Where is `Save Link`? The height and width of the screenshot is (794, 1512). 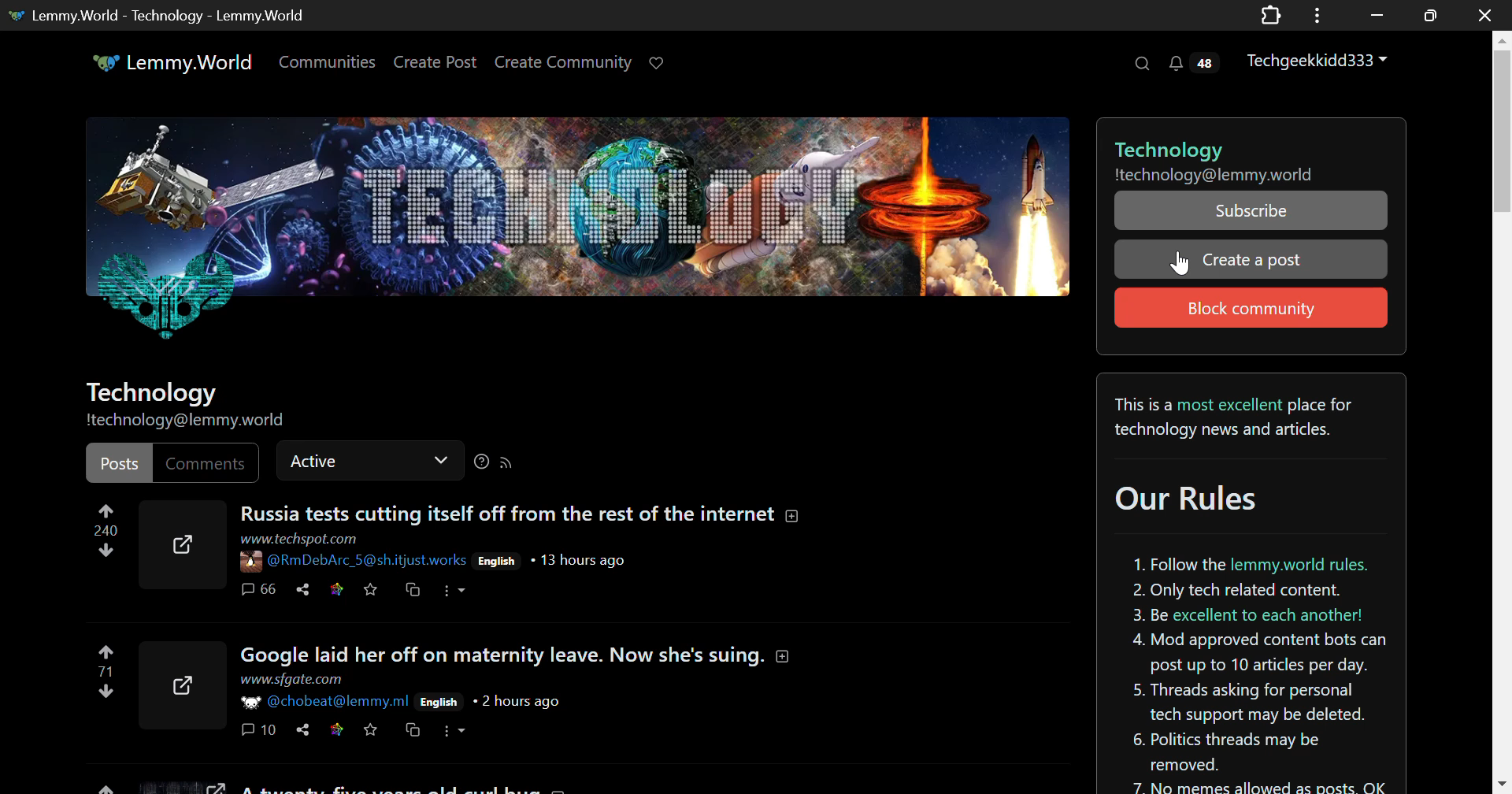 Save Link is located at coordinates (335, 731).